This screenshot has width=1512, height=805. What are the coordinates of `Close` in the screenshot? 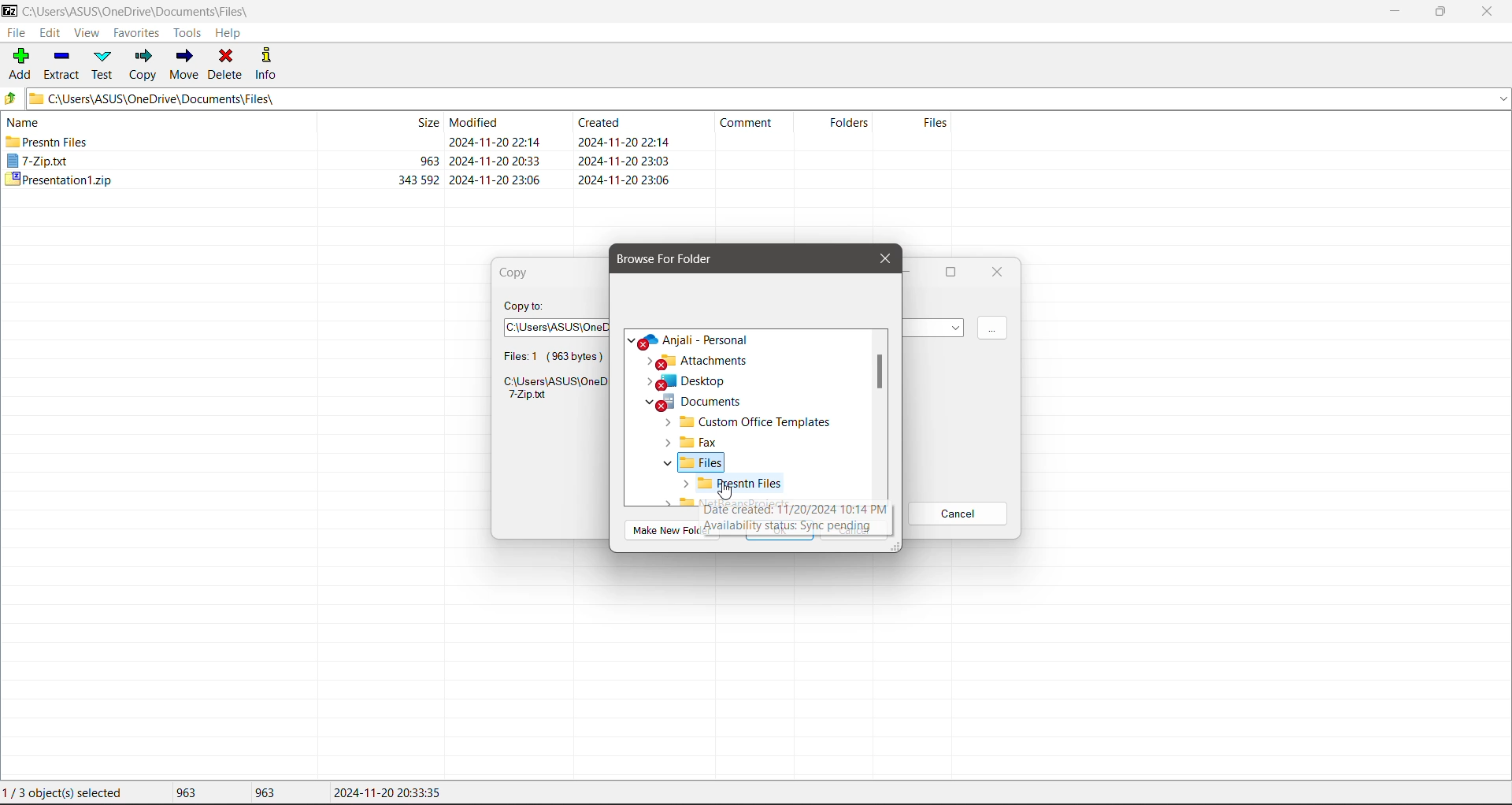 It's located at (998, 273).